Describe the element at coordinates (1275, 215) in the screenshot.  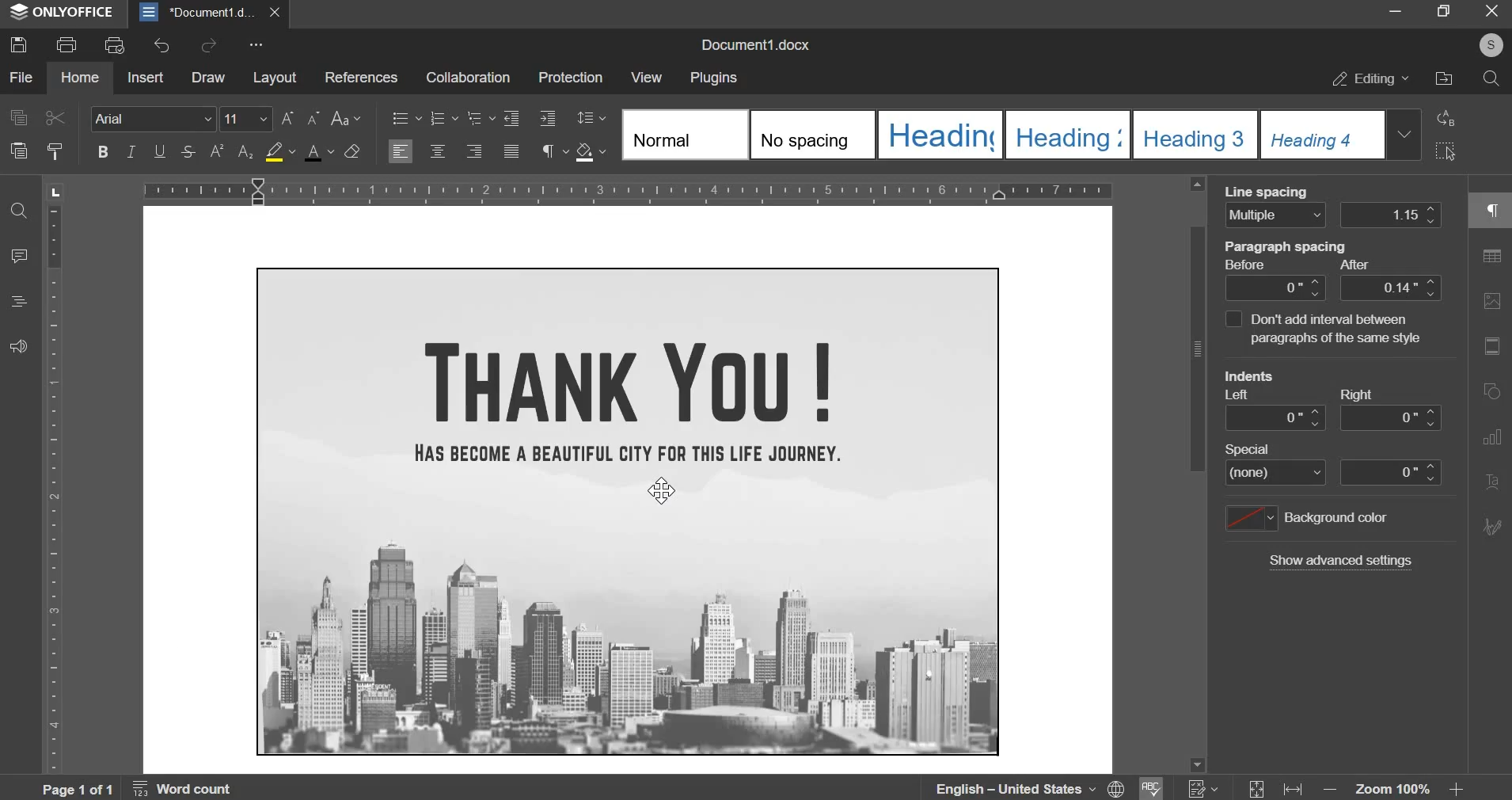
I see `line spacing` at that location.